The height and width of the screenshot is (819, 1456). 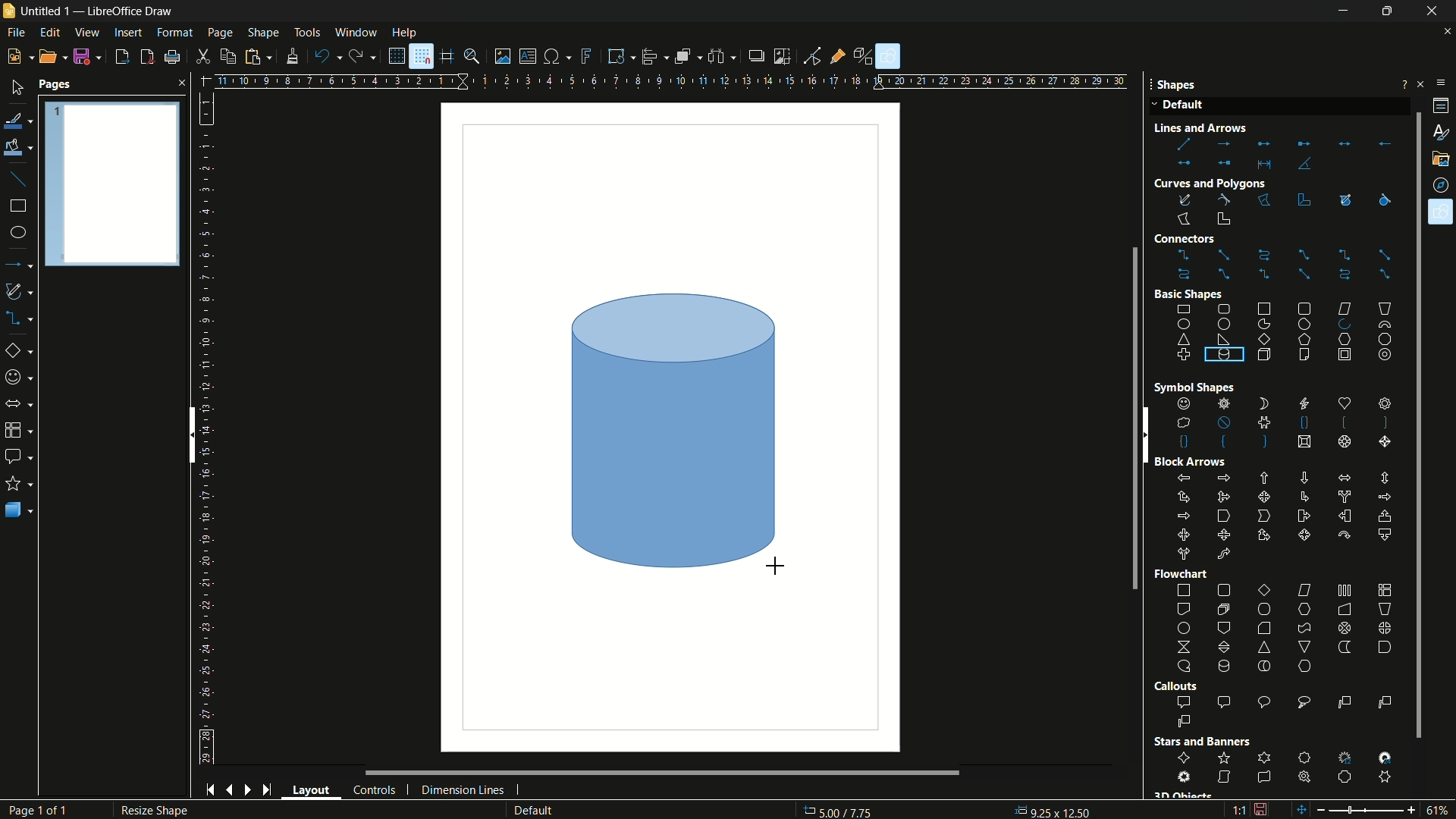 What do you see at coordinates (394, 56) in the screenshot?
I see `display grid` at bounding box center [394, 56].